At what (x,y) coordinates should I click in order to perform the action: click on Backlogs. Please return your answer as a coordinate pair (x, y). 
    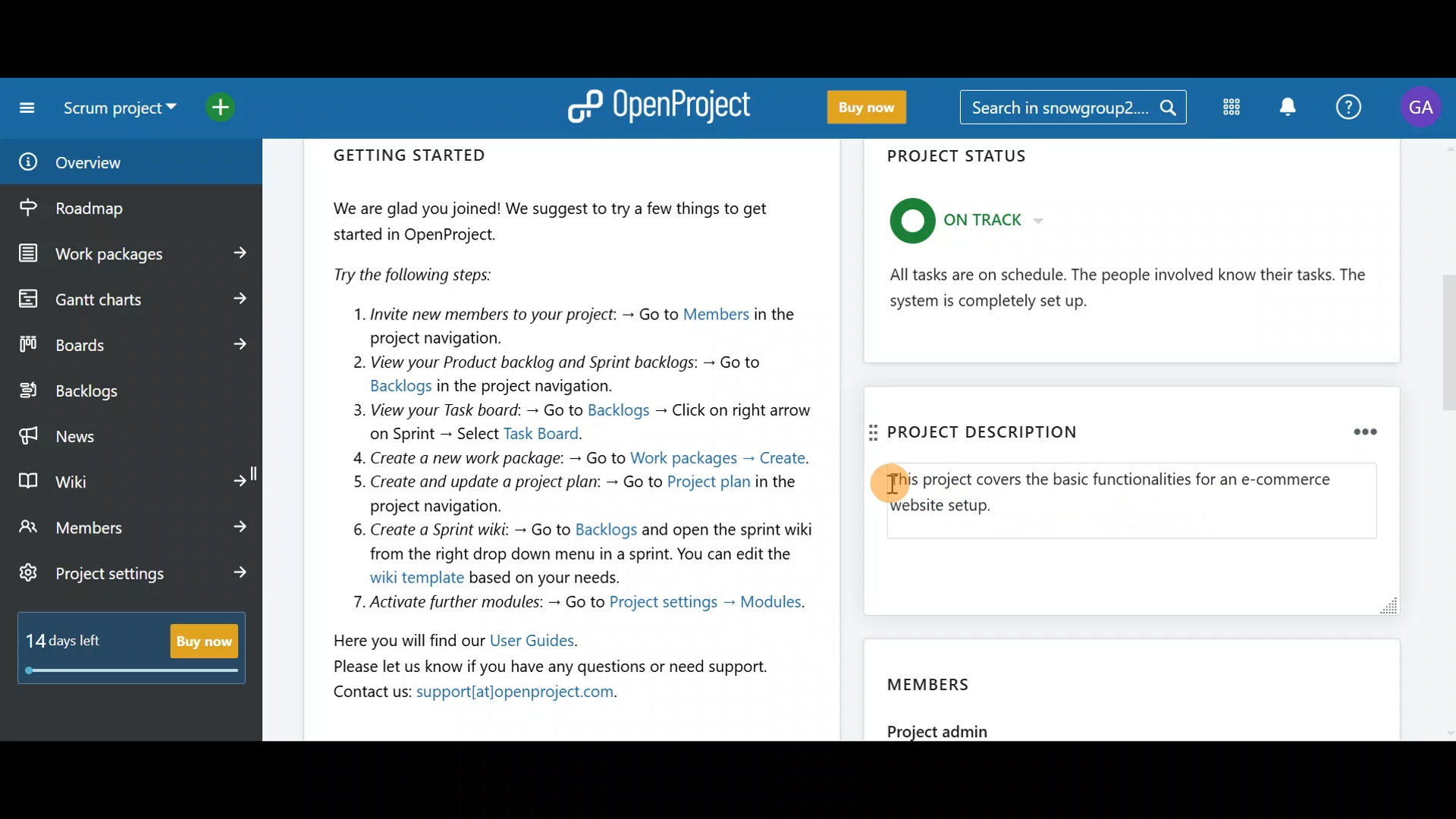
    Looking at the image, I should click on (118, 392).